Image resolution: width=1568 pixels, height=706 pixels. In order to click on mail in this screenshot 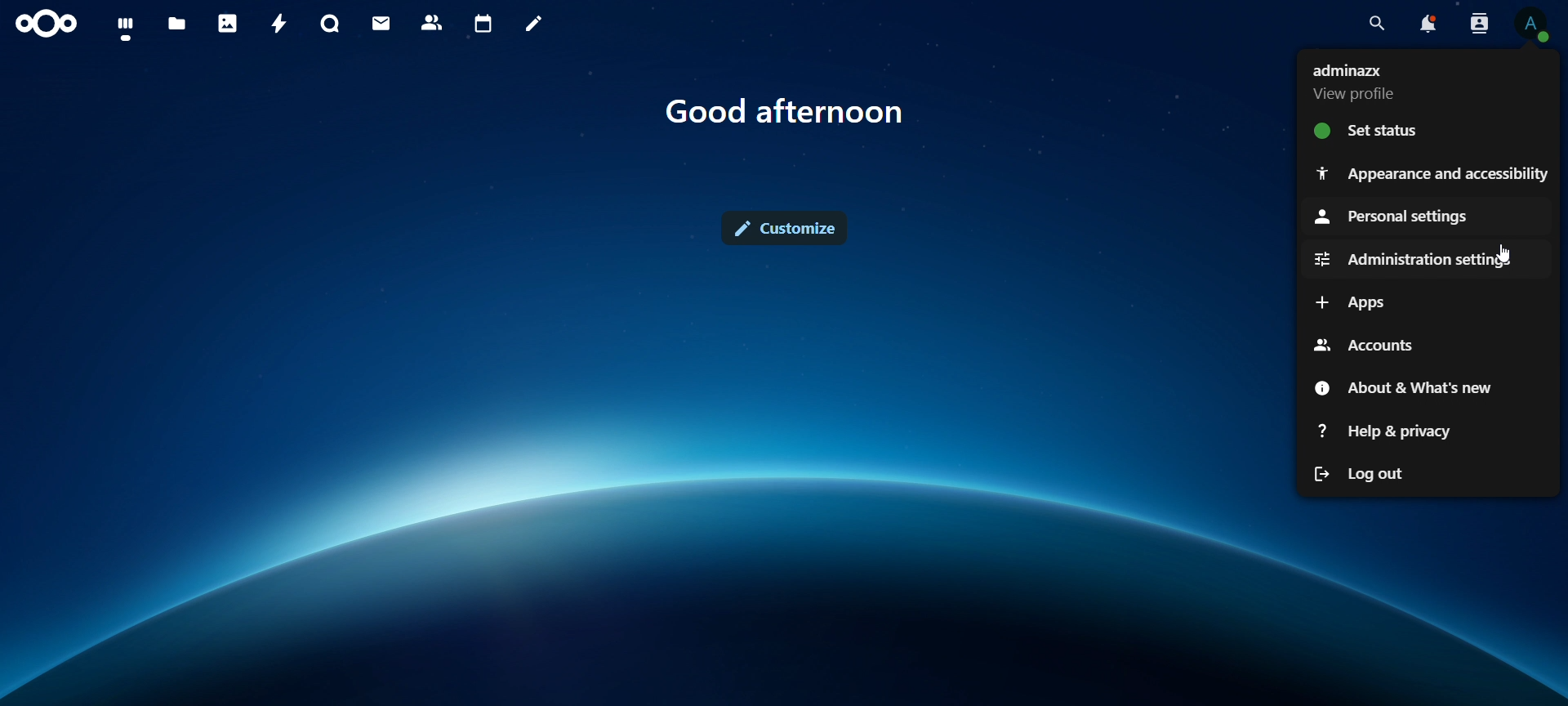, I will do `click(381, 21)`.